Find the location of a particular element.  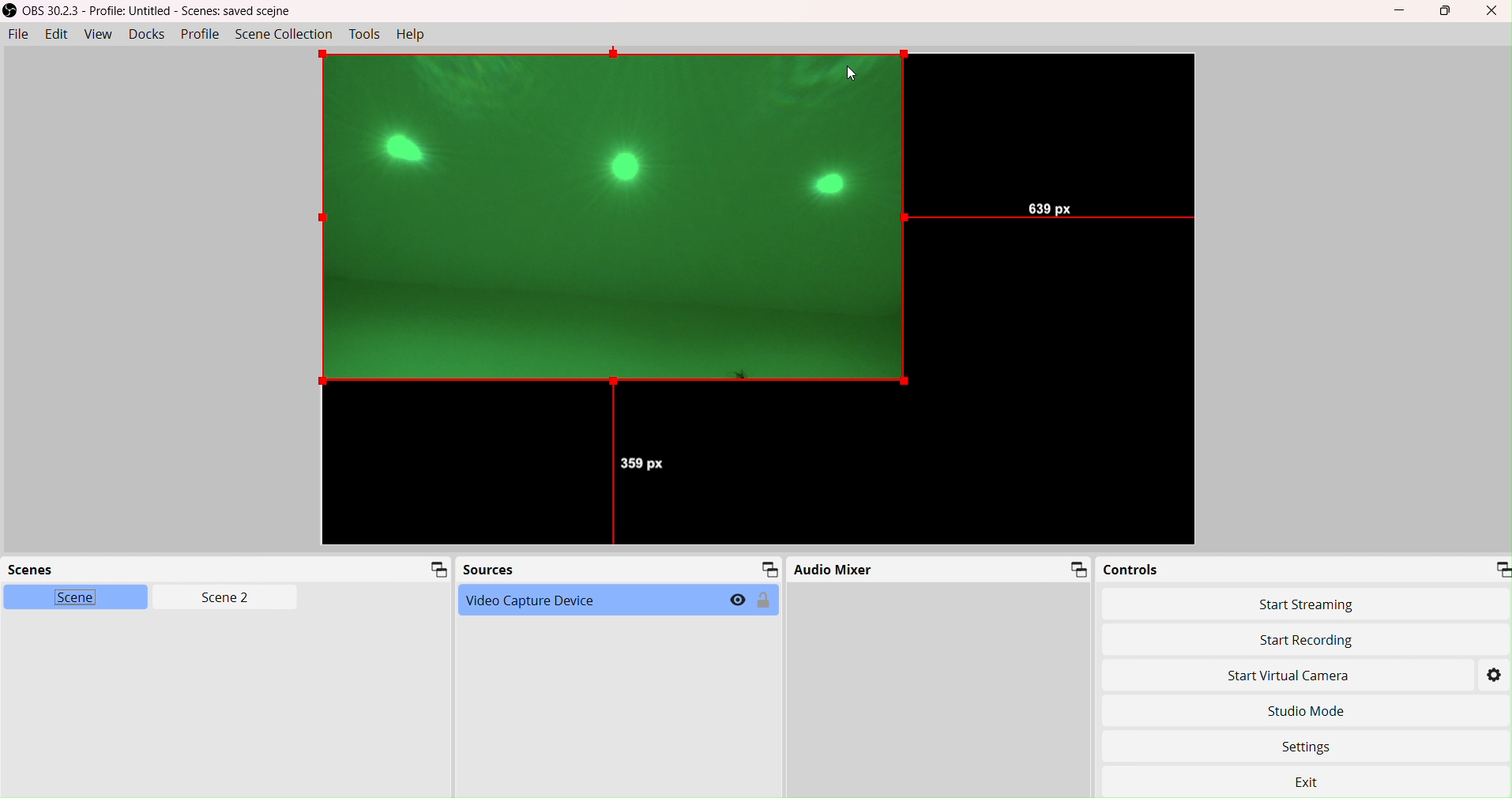

 is located at coordinates (180, 11).